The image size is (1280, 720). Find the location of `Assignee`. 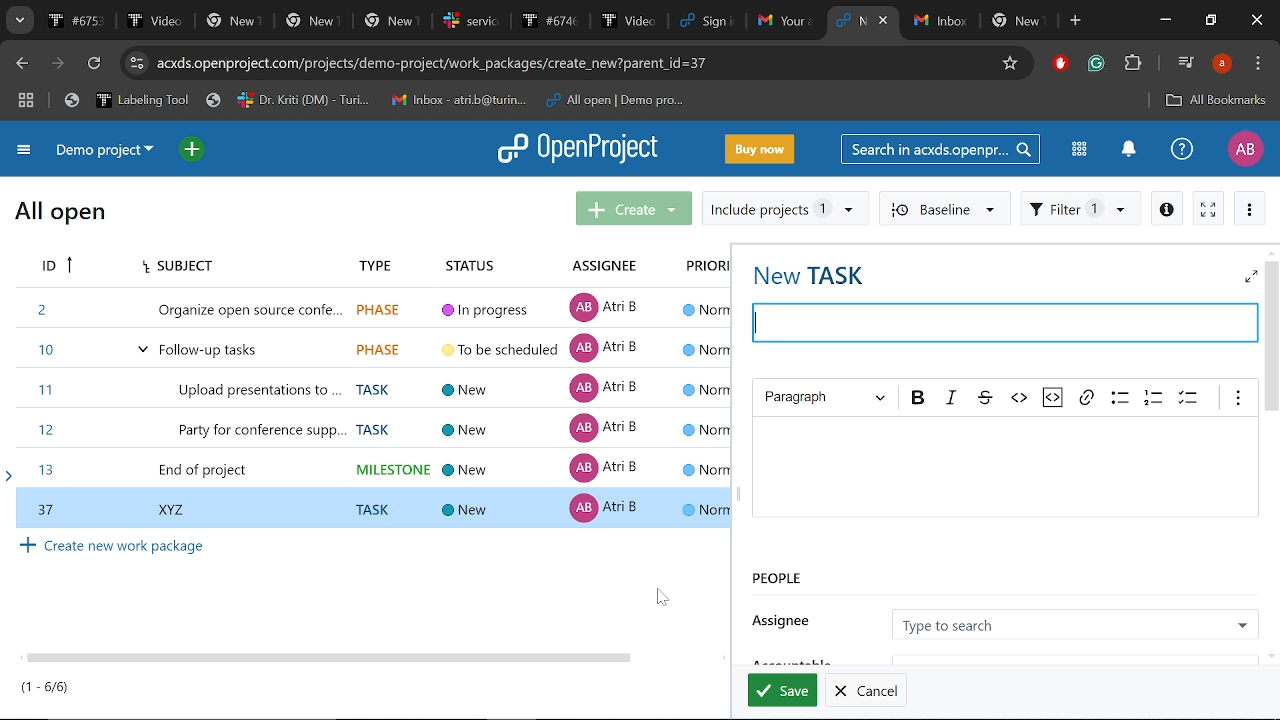

Assignee is located at coordinates (601, 264).